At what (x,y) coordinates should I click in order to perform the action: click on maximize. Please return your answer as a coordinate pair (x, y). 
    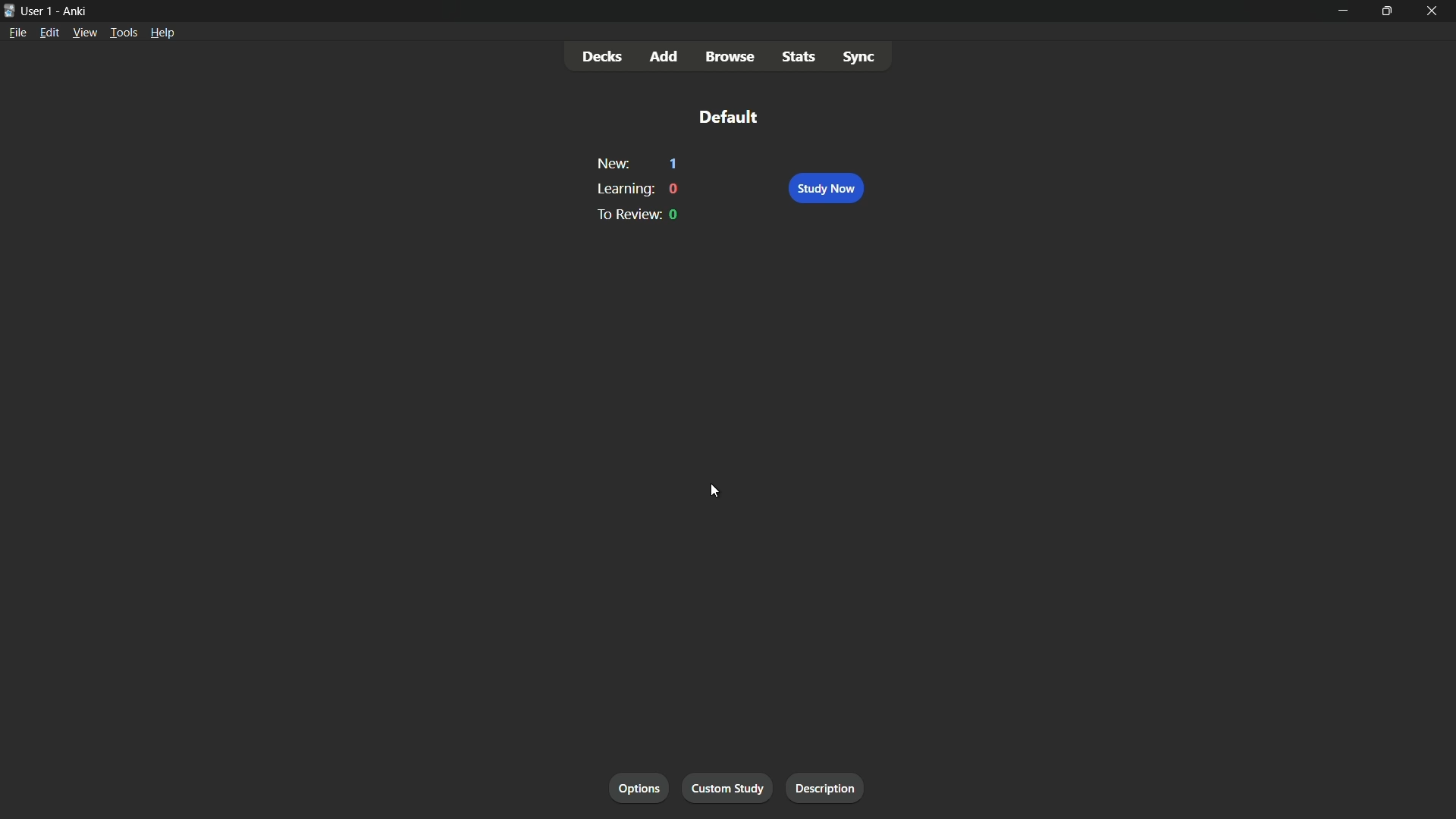
    Looking at the image, I should click on (1385, 10).